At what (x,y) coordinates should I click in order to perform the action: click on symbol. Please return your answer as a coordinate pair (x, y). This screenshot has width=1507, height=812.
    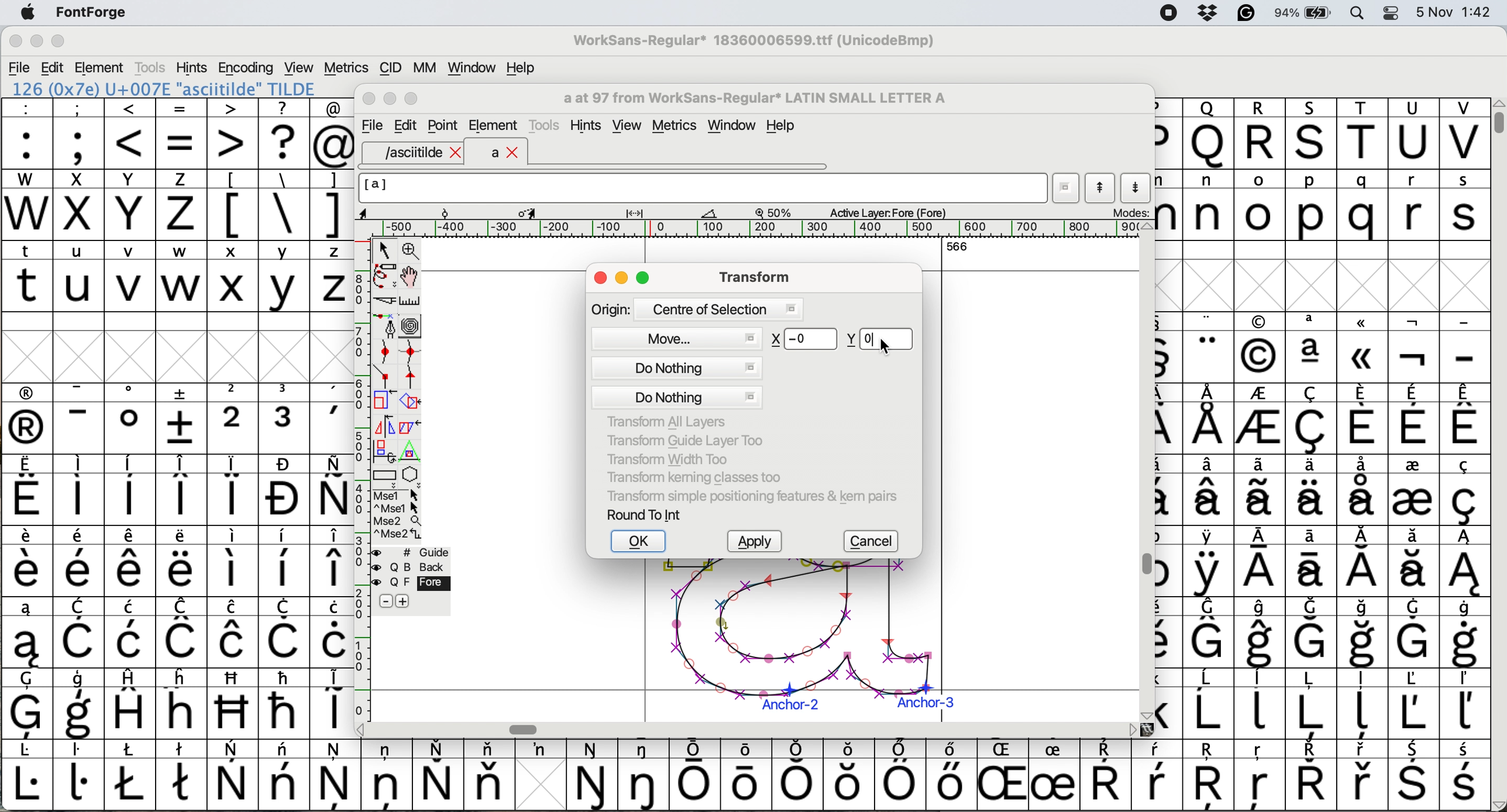
    Looking at the image, I should click on (1464, 633).